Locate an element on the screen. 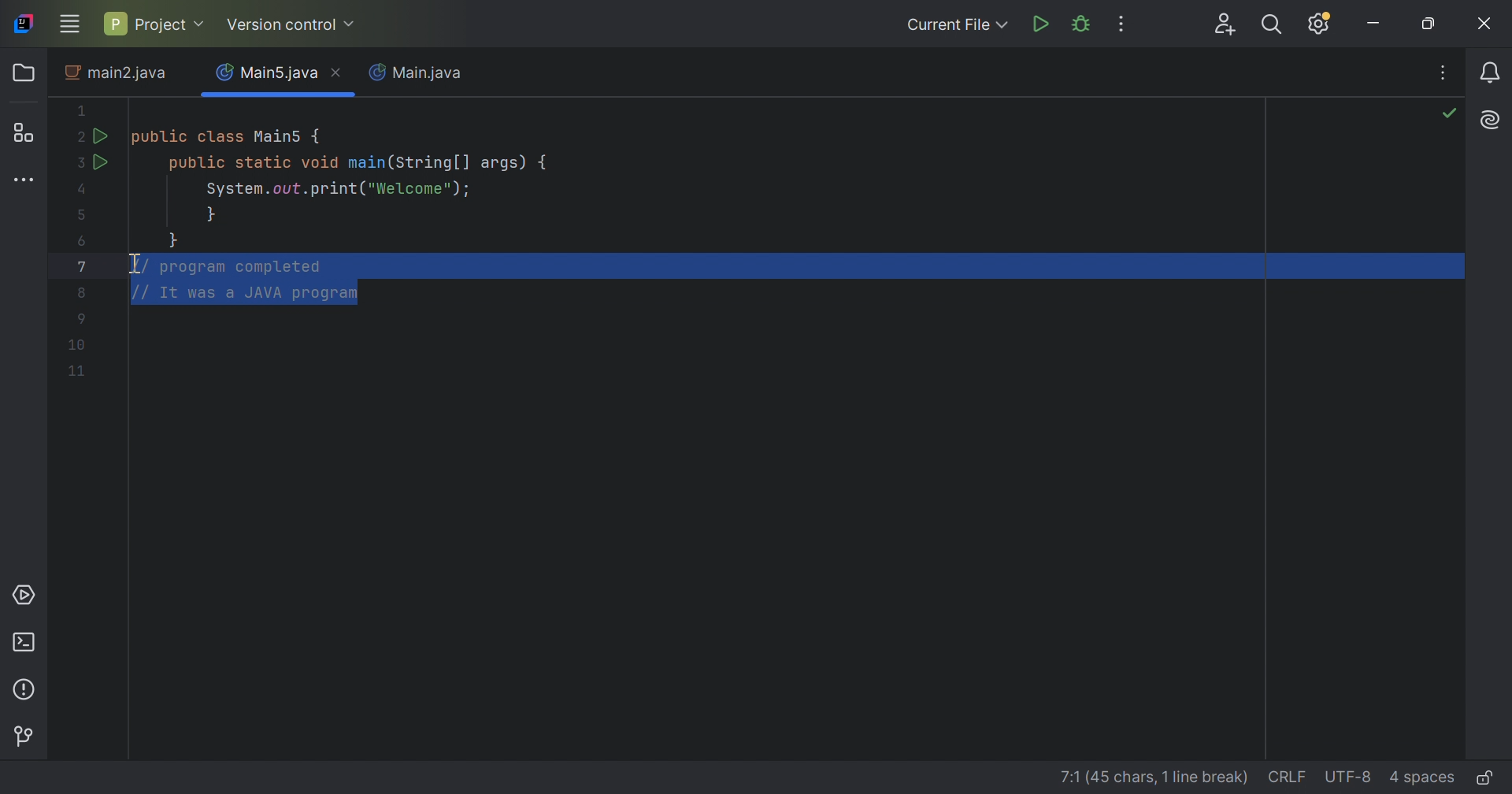 This screenshot has height=794, width=1512. Search is located at coordinates (1277, 25).